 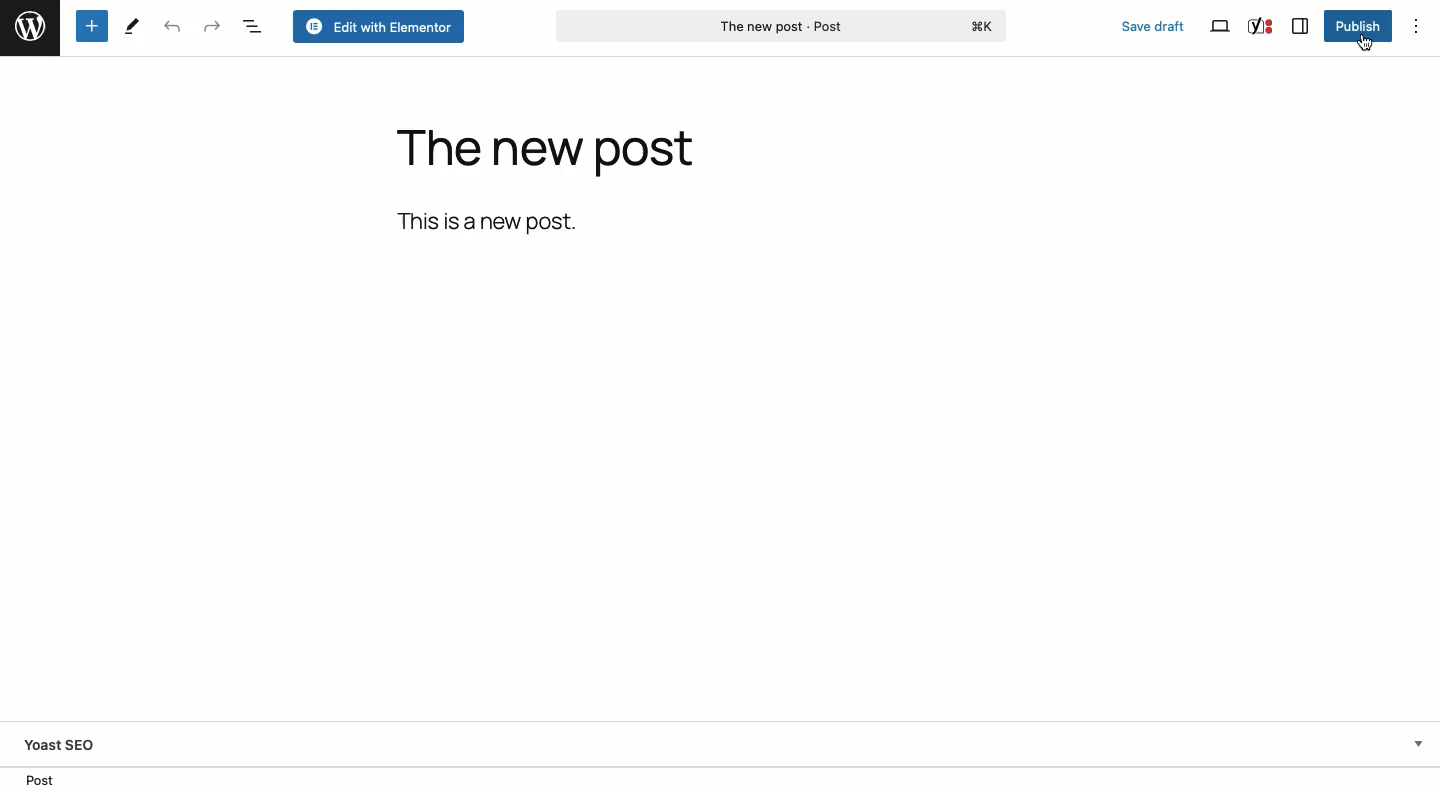 I want to click on The new post, so click(x=546, y=154).